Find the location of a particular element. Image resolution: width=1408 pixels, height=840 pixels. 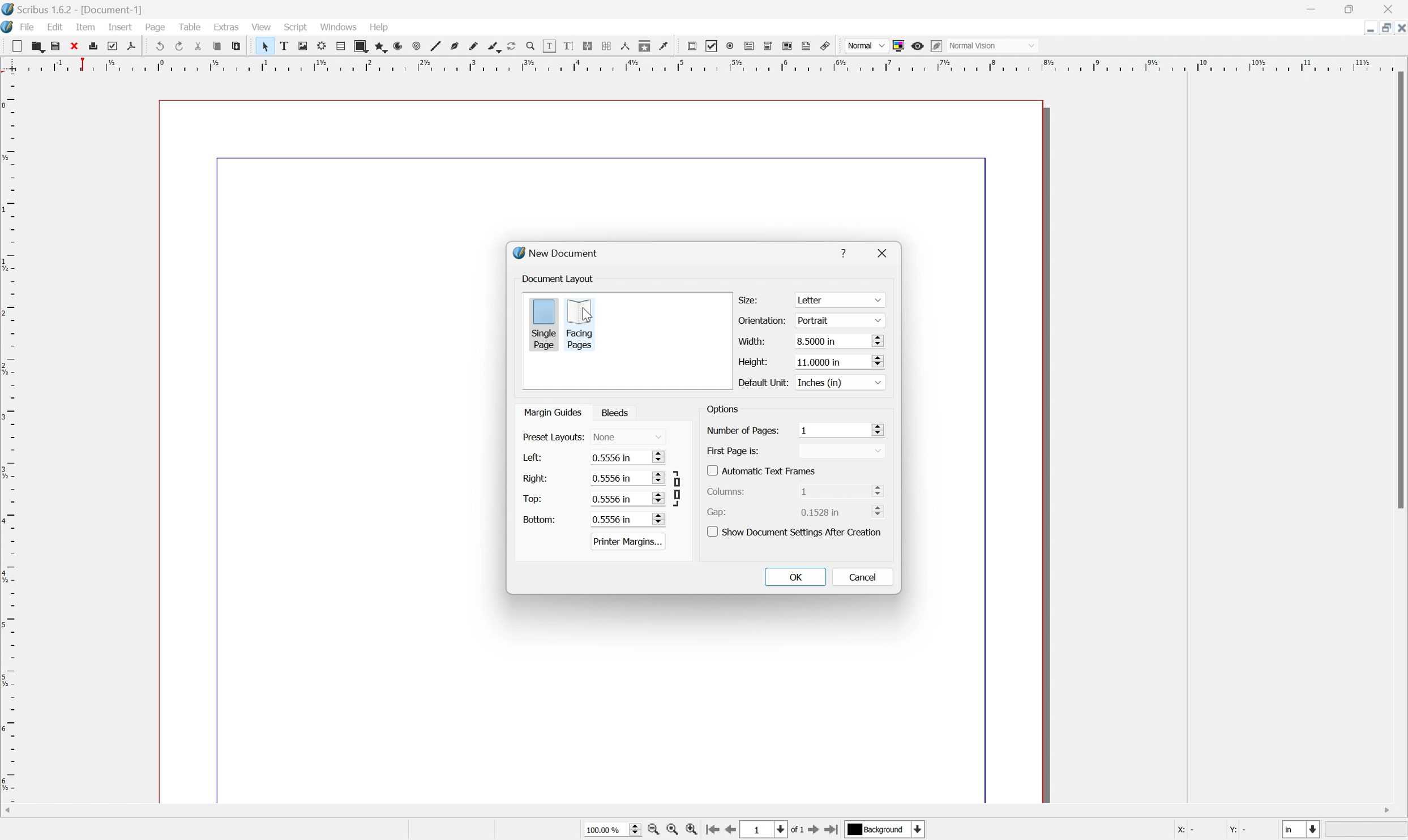

First Page is: is located at coordinates (842, 451).